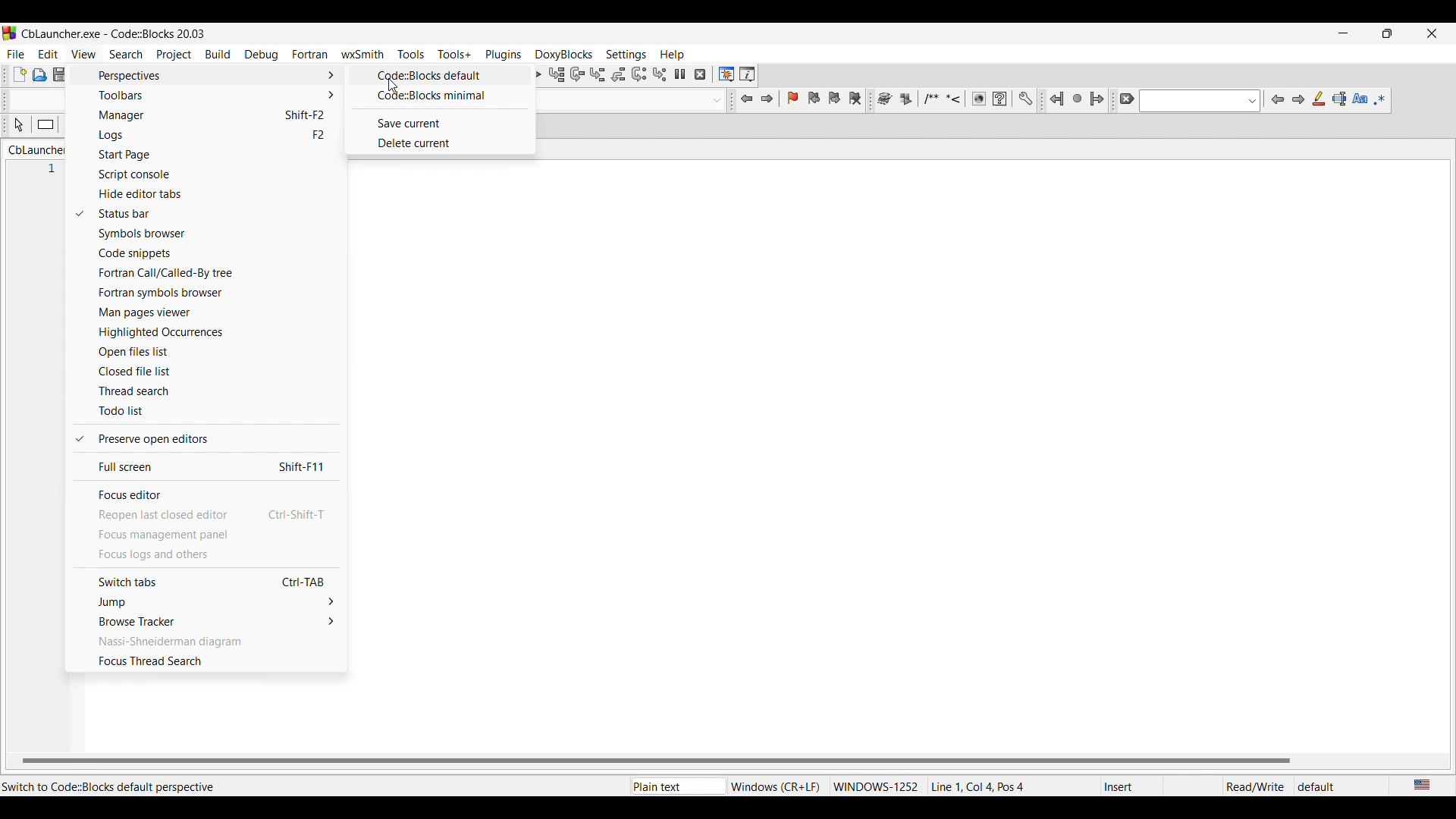 This screenshot has width=1456, height=819. What do you see at coordinates (216, 371) in the screenshot?
I see `Closed file list` at bounding box center [216, 371].